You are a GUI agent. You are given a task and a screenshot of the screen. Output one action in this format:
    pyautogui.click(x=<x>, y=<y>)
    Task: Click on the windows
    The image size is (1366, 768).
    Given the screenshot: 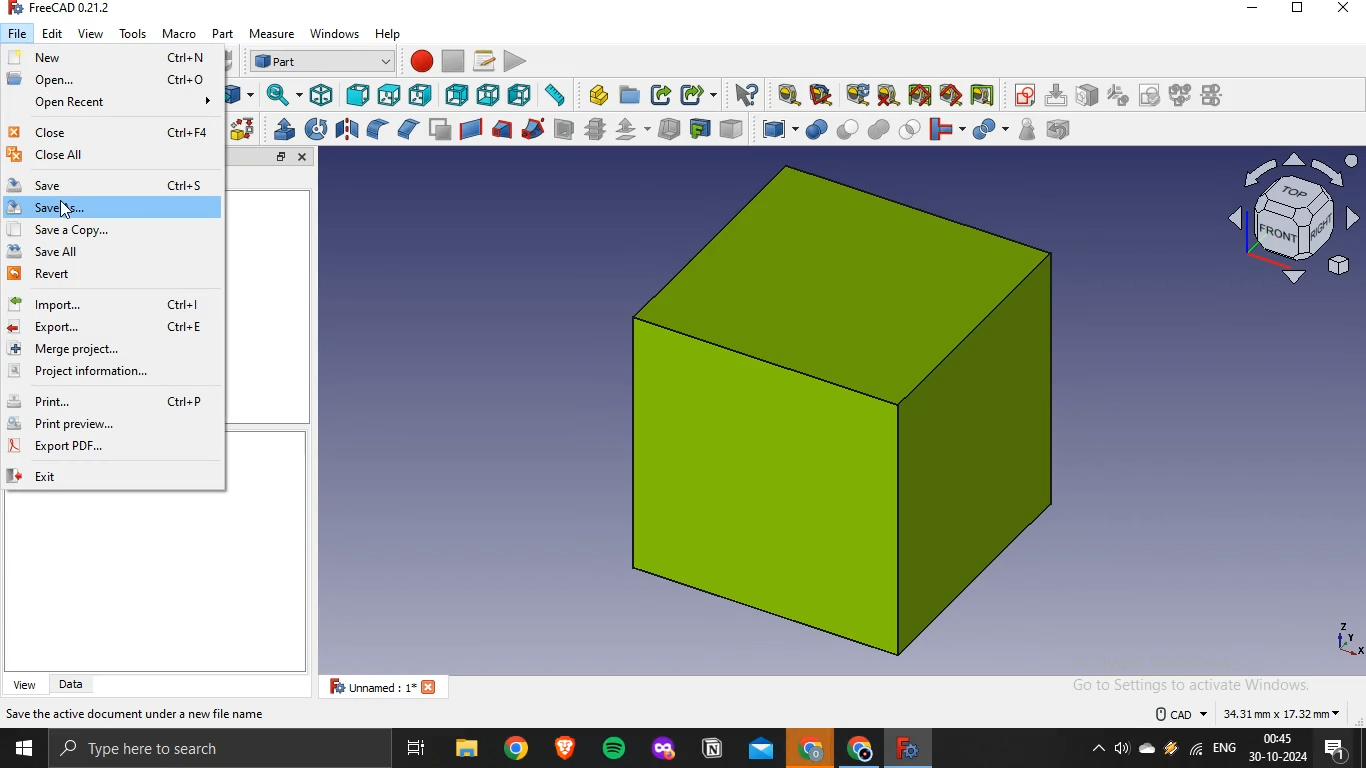 What is the action you would take?
    pyautogui.click(x=335, y=33)
    